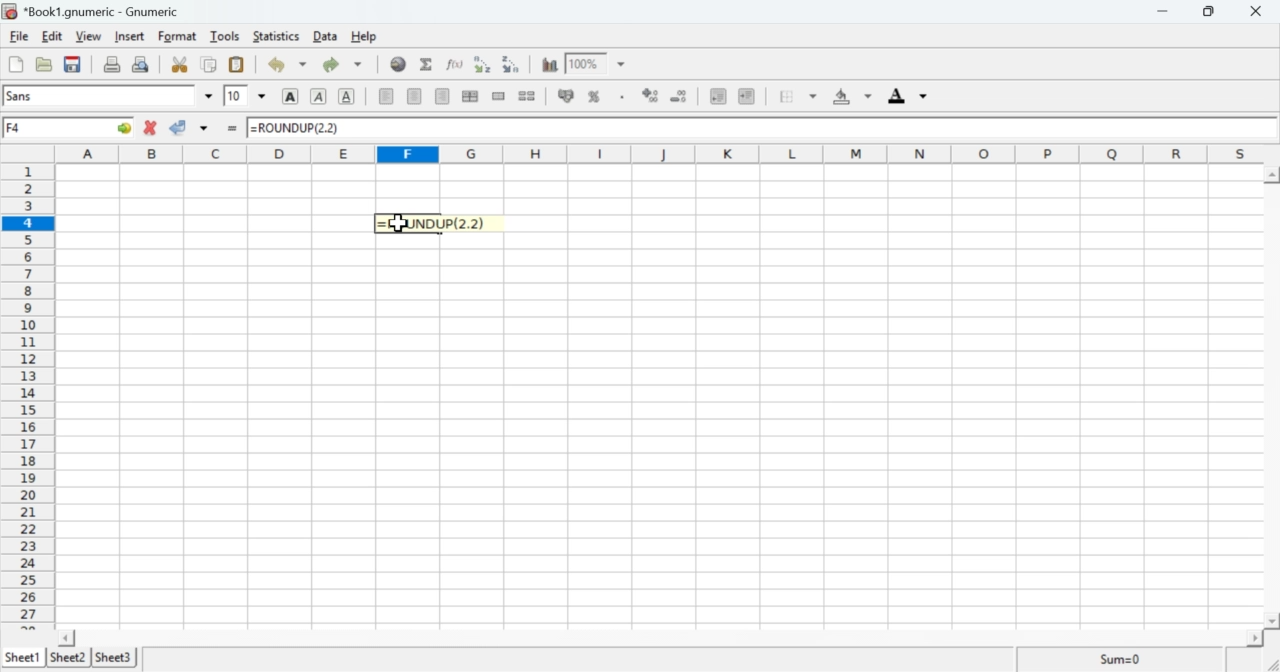 The image size is (1280, 672). What do you see at coordinates (1123, 658) in the screenshot?
I see `Sum=0` at bounding box center [1123, 658].